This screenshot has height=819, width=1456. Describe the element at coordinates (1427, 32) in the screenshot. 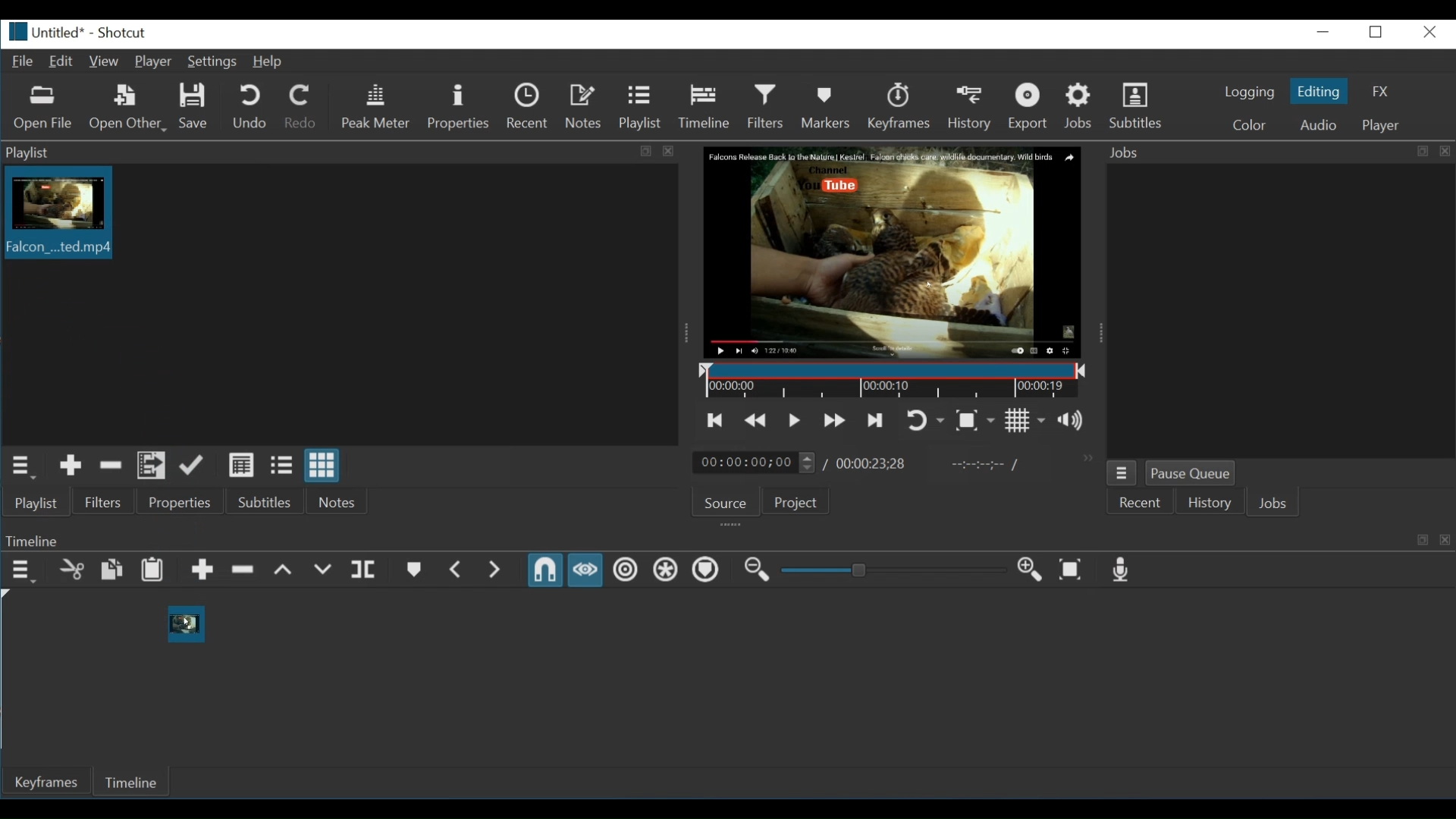

I see `Close` at that location.